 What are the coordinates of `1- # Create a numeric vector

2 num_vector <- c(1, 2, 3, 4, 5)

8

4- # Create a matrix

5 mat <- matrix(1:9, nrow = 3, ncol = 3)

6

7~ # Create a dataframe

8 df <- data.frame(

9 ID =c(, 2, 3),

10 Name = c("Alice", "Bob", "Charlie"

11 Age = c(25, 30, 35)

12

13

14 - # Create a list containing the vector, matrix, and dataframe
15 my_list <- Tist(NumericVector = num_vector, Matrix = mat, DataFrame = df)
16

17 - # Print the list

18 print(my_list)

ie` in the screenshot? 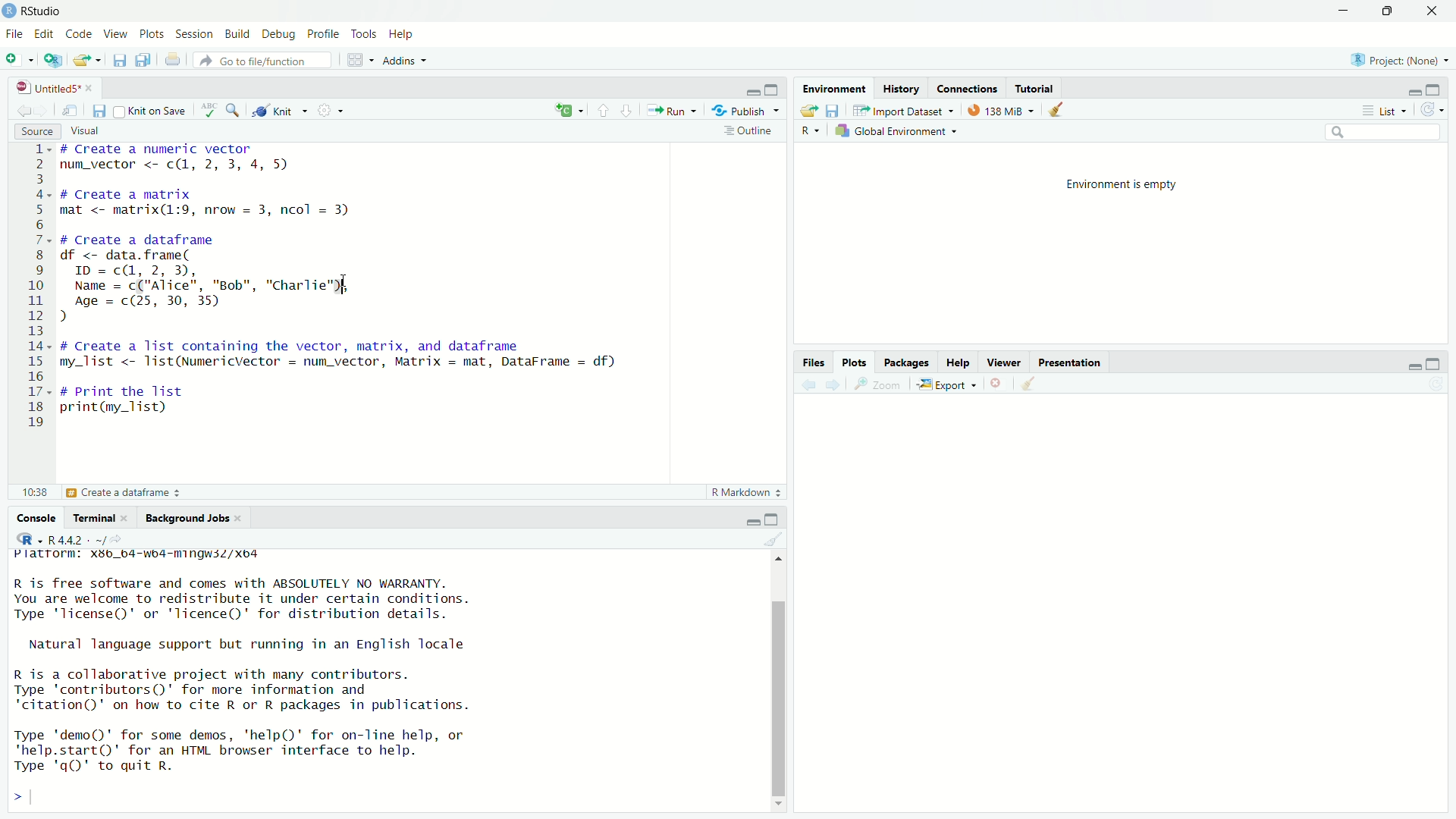 It's located at (325, 287).